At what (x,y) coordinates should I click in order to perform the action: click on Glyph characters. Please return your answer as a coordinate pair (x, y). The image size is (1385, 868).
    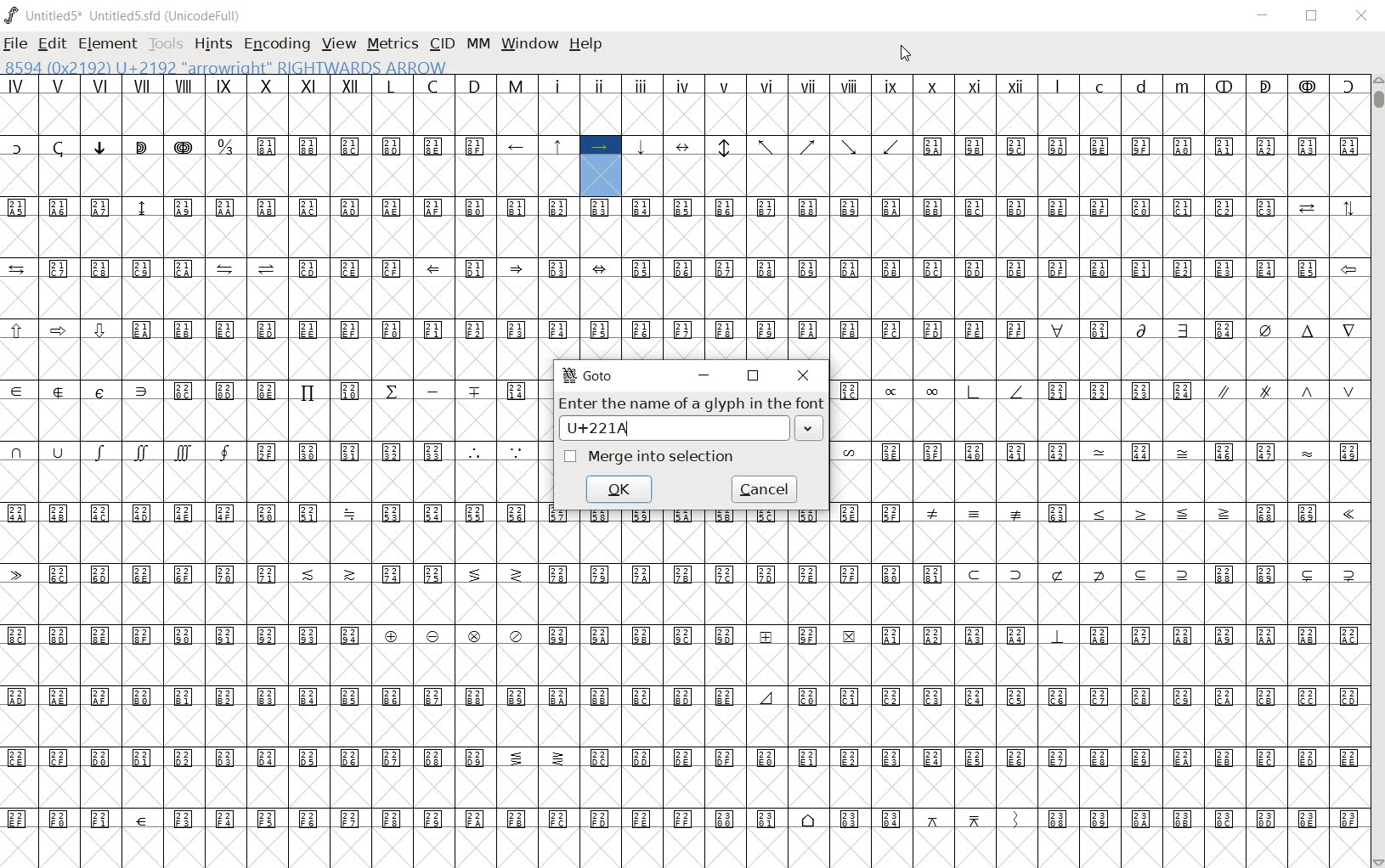
    Looking at the image, I should click on (270, 473).